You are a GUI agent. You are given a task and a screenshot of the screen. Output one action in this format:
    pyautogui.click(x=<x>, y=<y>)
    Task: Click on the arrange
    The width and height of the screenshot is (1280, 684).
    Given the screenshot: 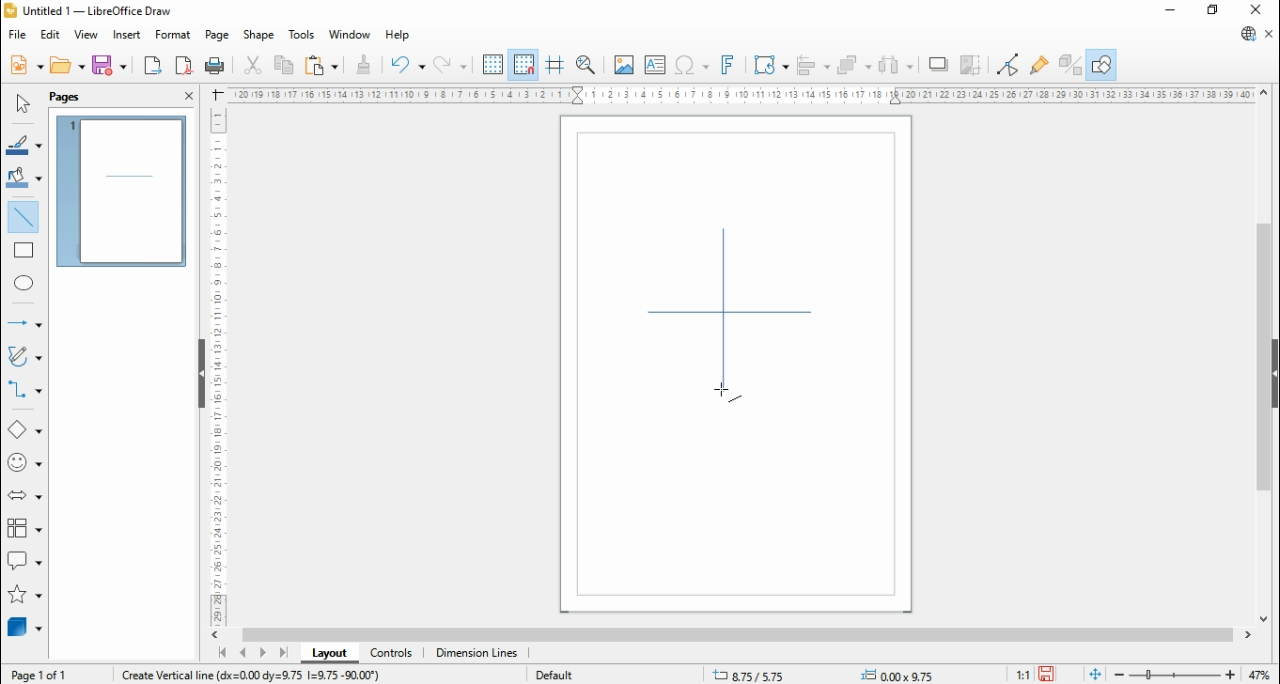 What is the action you would take?
    pyautogui.click(x=856, y=63)
    